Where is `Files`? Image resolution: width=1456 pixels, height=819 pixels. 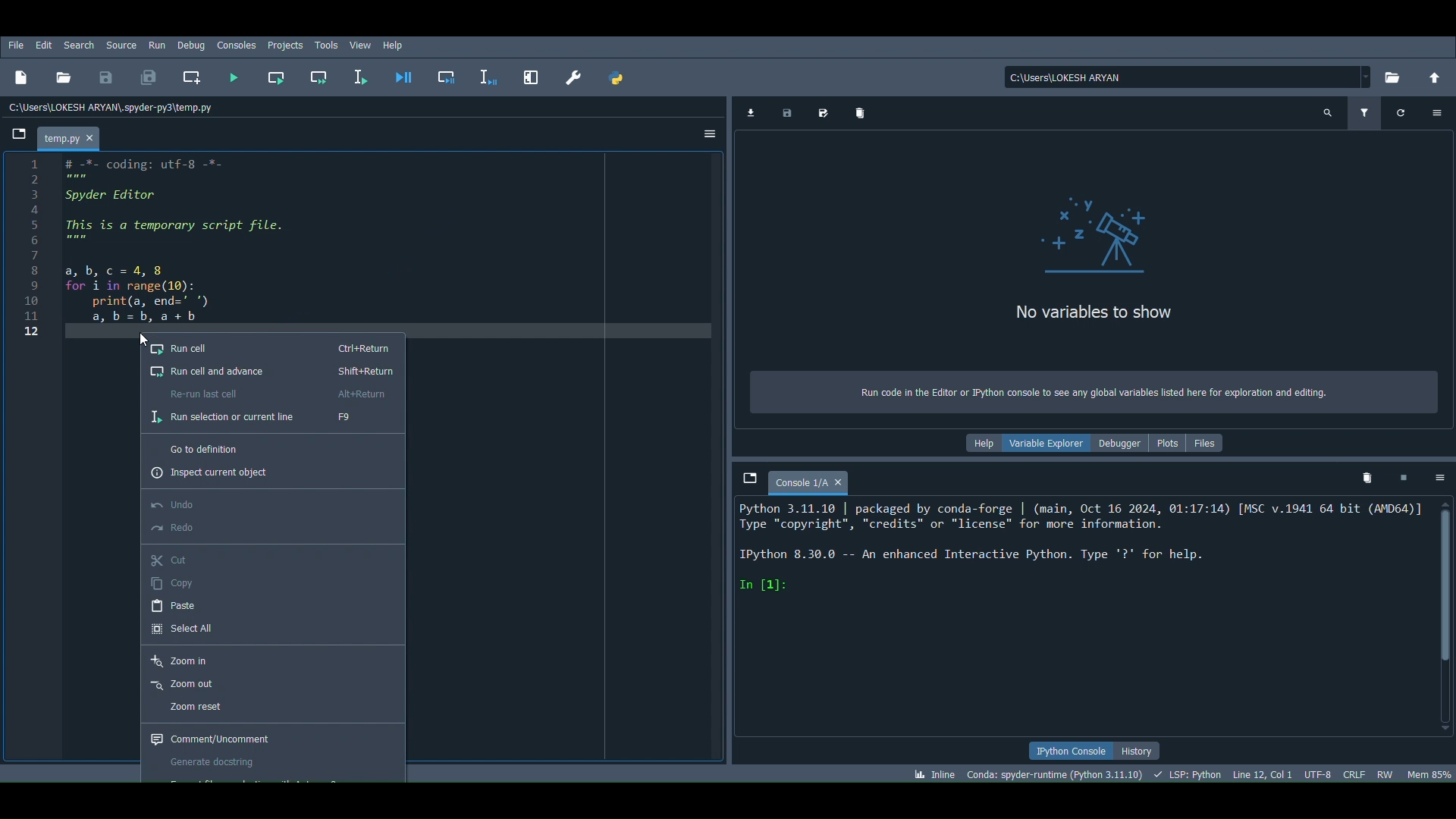
Files is located at coordinates (1210, 444).